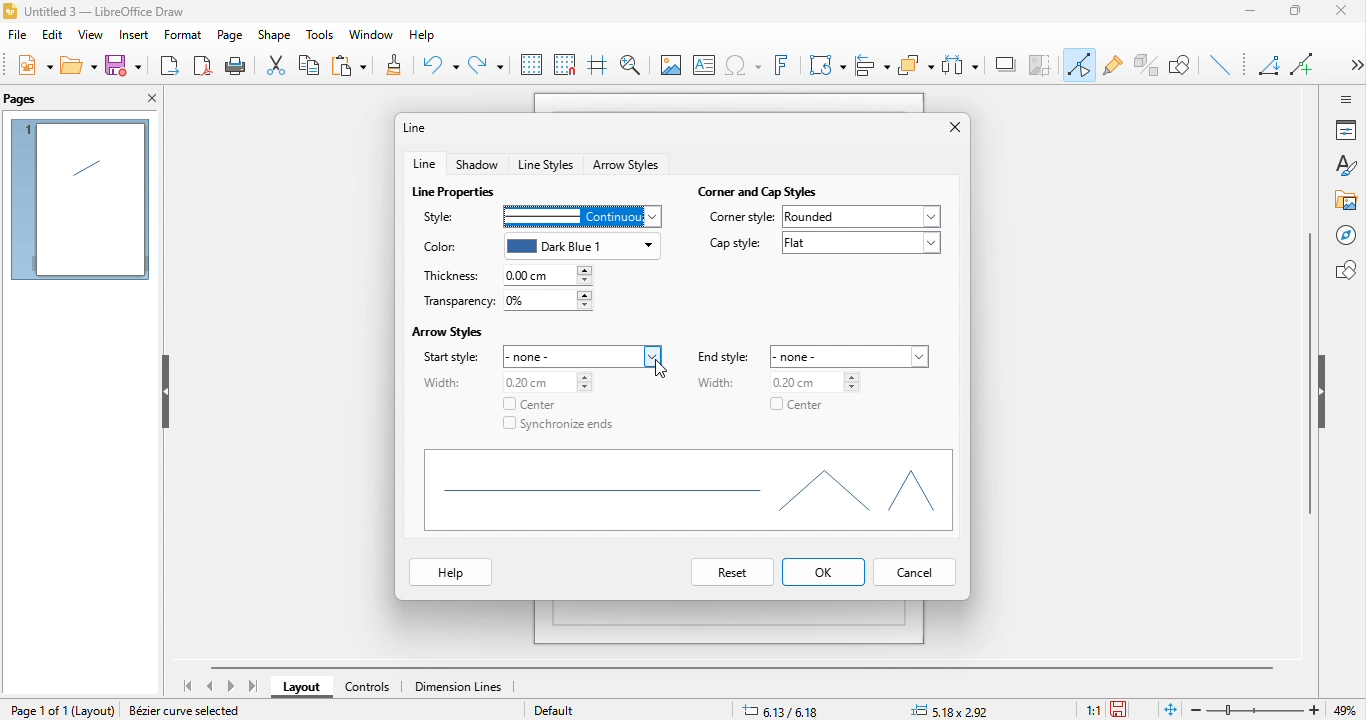  Describe the element at coordinates (276, 66) in the screenshot. I see `cut` at that location.